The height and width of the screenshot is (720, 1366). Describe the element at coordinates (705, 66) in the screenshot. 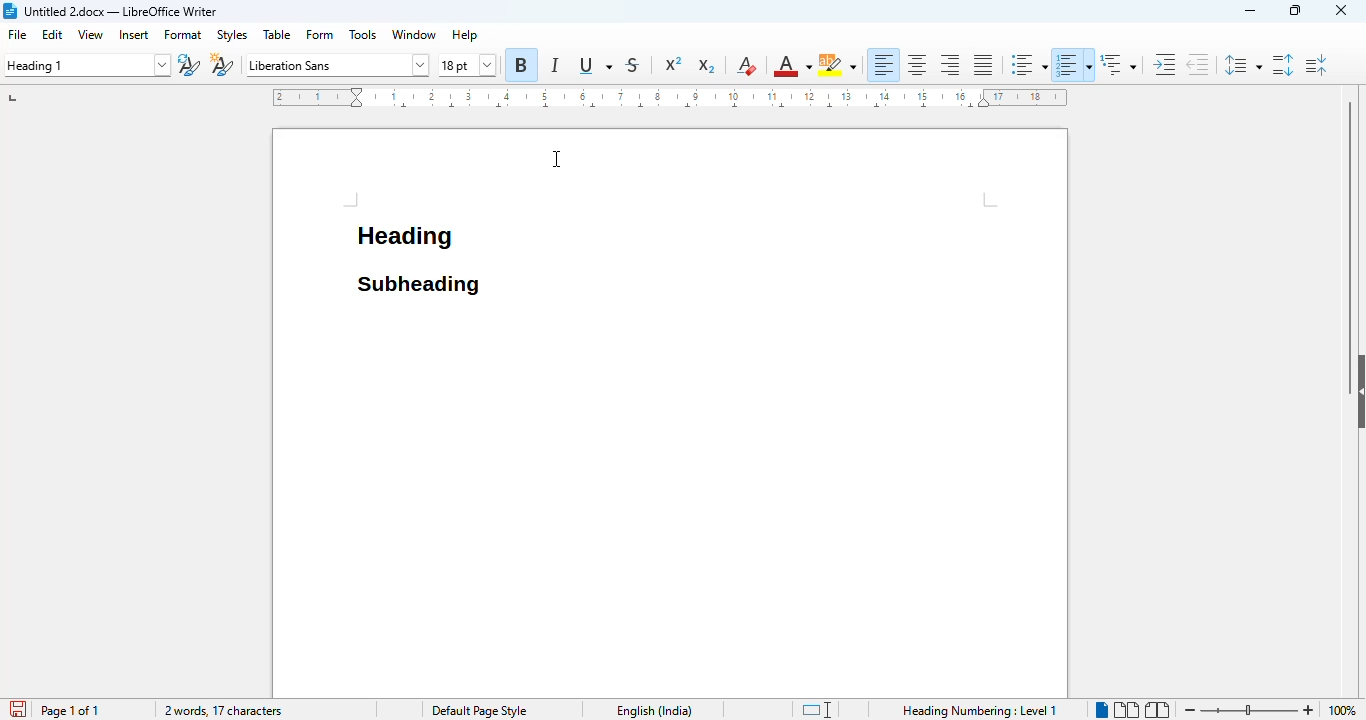

I see `subscript` at that location.